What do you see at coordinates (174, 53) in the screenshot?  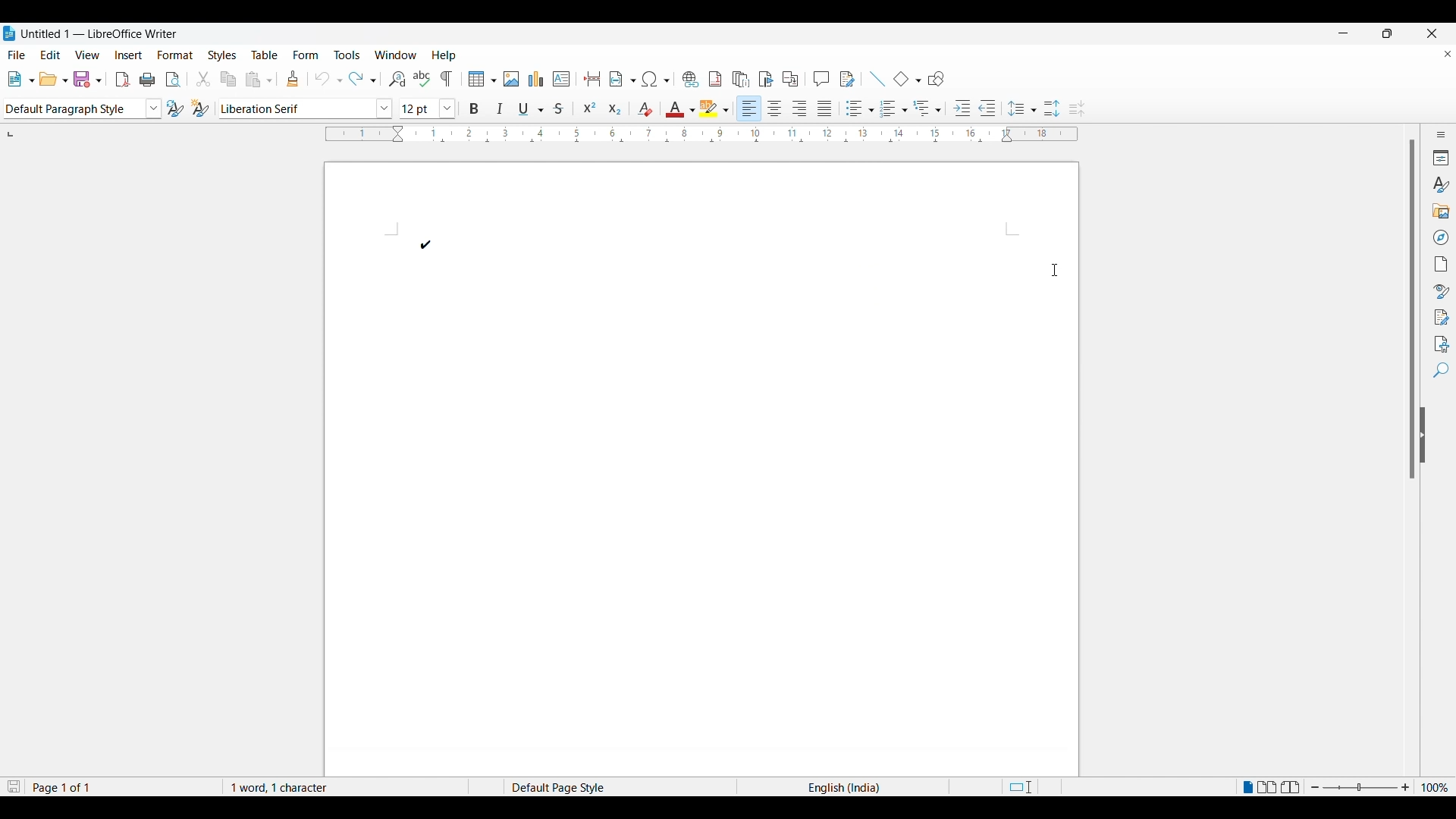 I see `Format` at bounding box center [174, 53].